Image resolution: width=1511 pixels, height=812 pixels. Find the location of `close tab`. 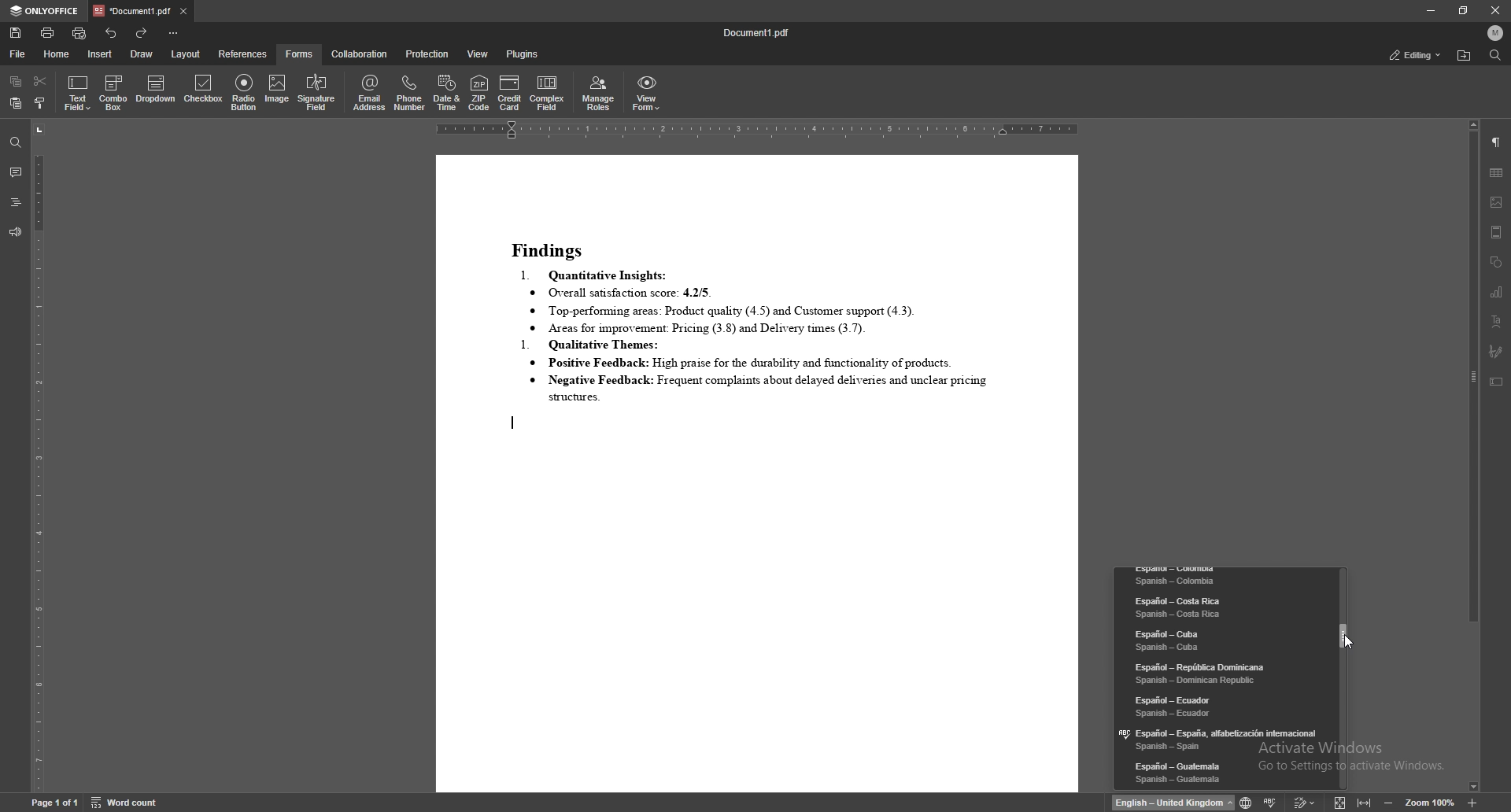

close tab is located at coordinates (183, 12).